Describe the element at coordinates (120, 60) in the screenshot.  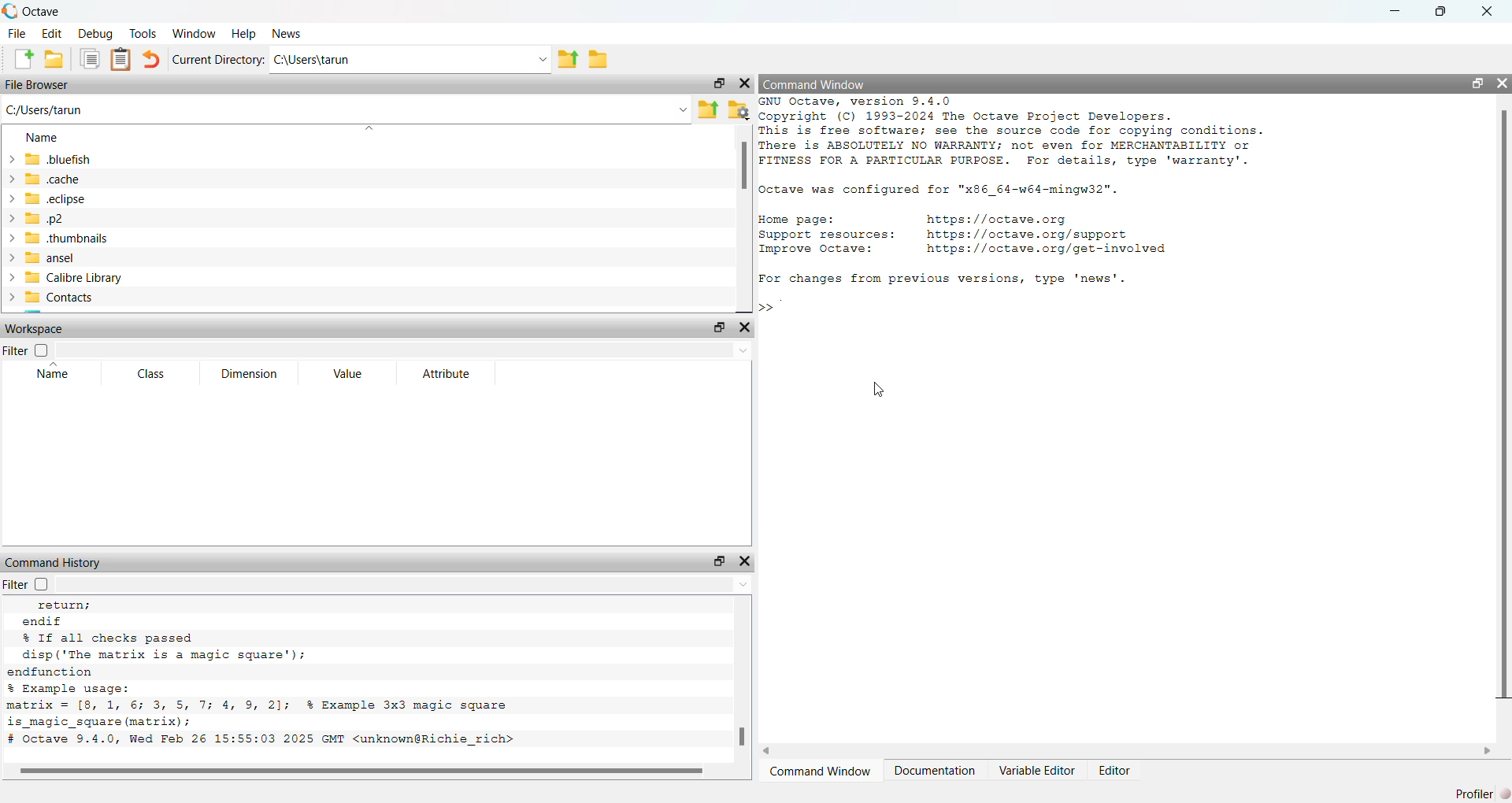
I see `Clipboard` at that location.